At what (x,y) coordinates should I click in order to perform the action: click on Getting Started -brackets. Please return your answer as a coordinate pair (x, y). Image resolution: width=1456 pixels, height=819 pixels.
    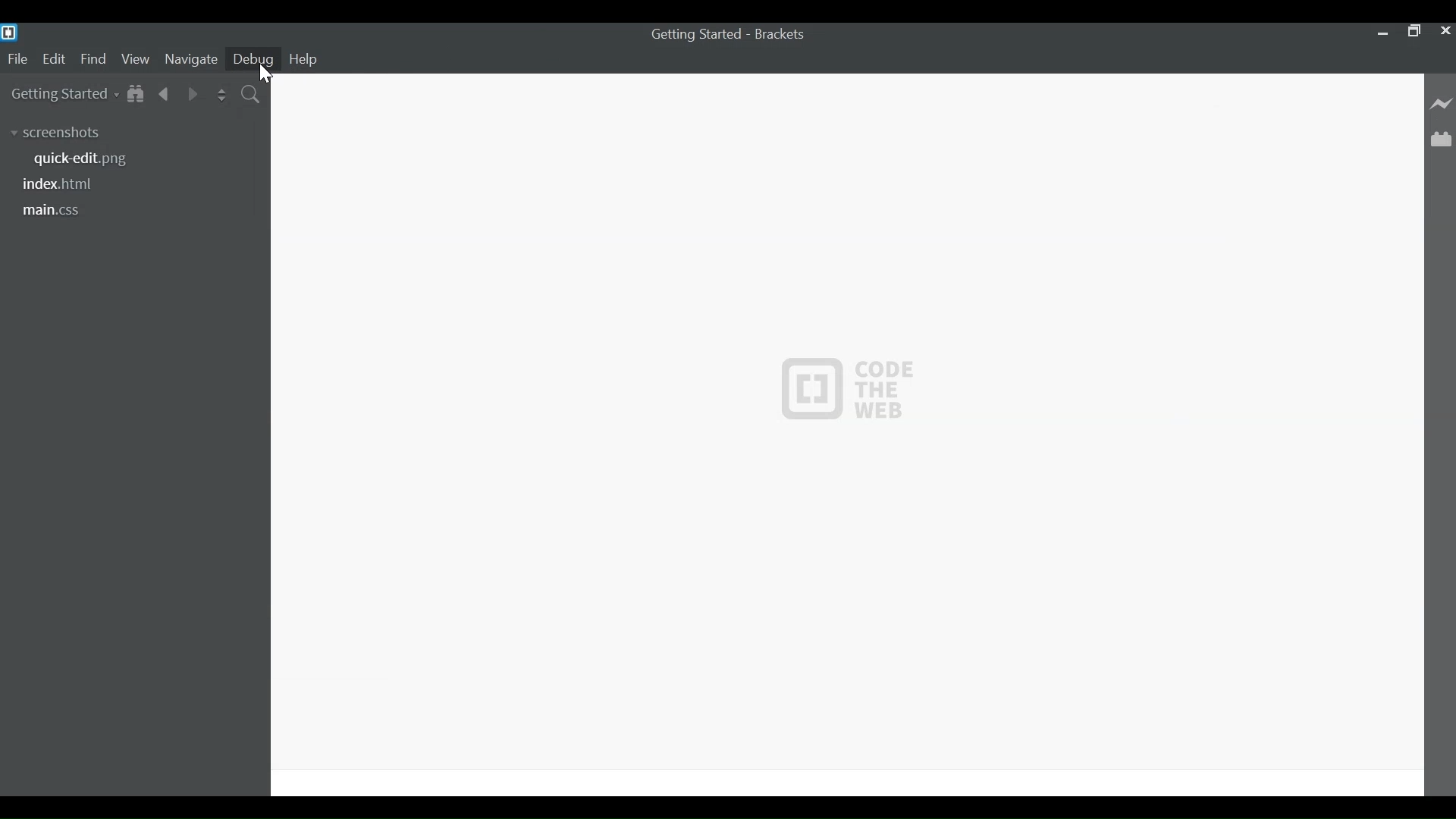
    Looking at the image, I should click on (734, 34).